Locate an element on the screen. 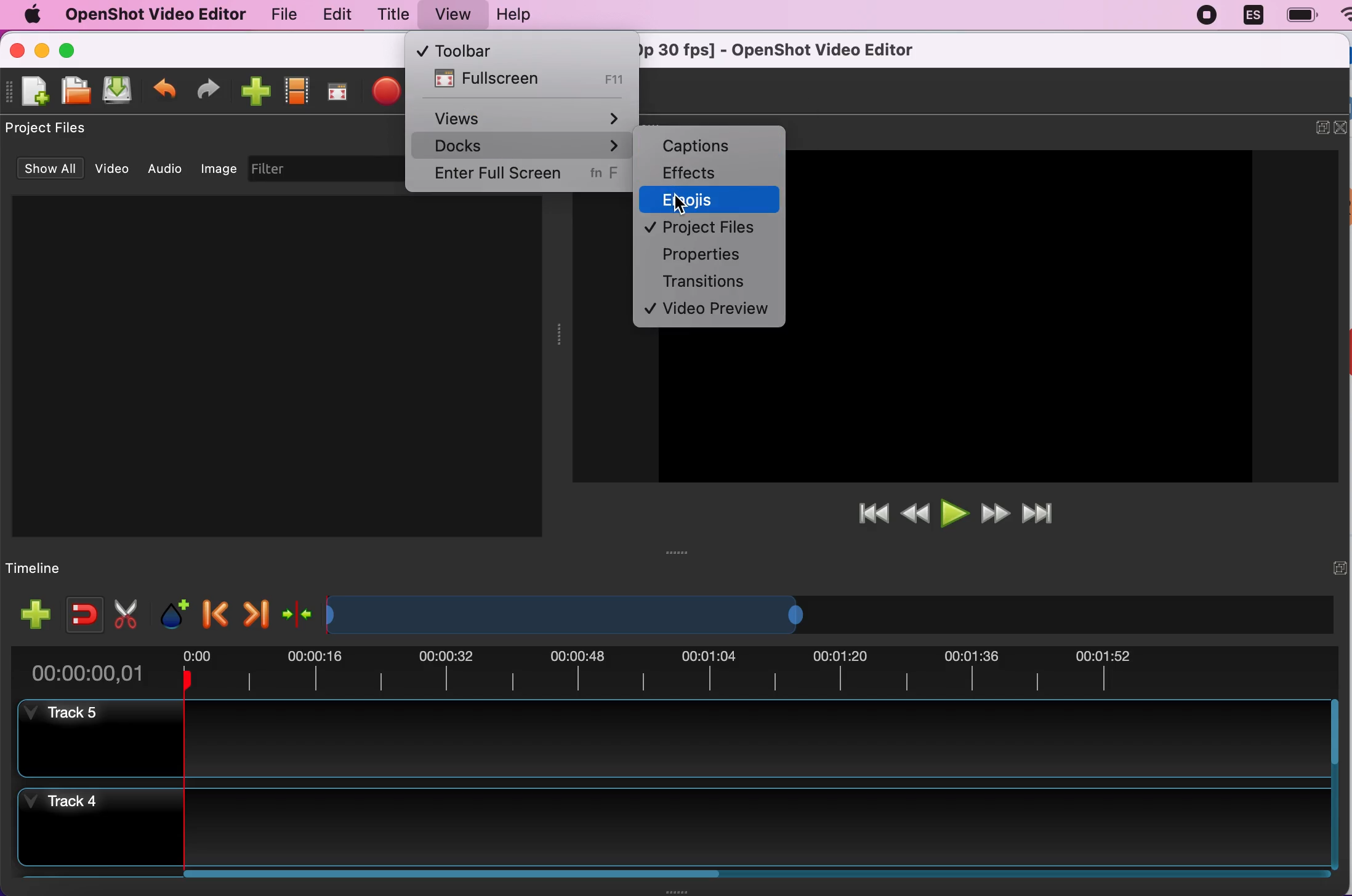 The image size is (1352, 896). language is located at coordinates (1248, 15).